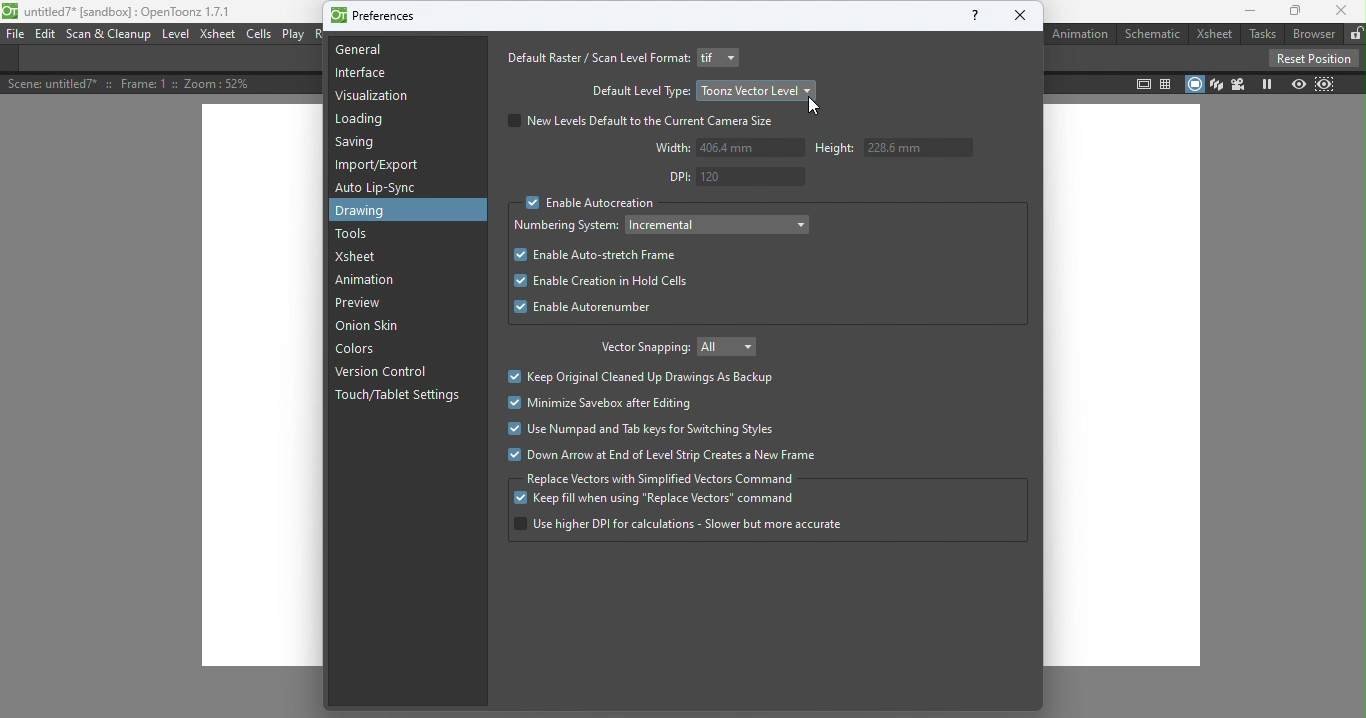 This screenshot has height=718, width=1366. What do you see at coordinates (386, 212) in the screenshot?
I see `Drawing` at bounding box center [386, 212].